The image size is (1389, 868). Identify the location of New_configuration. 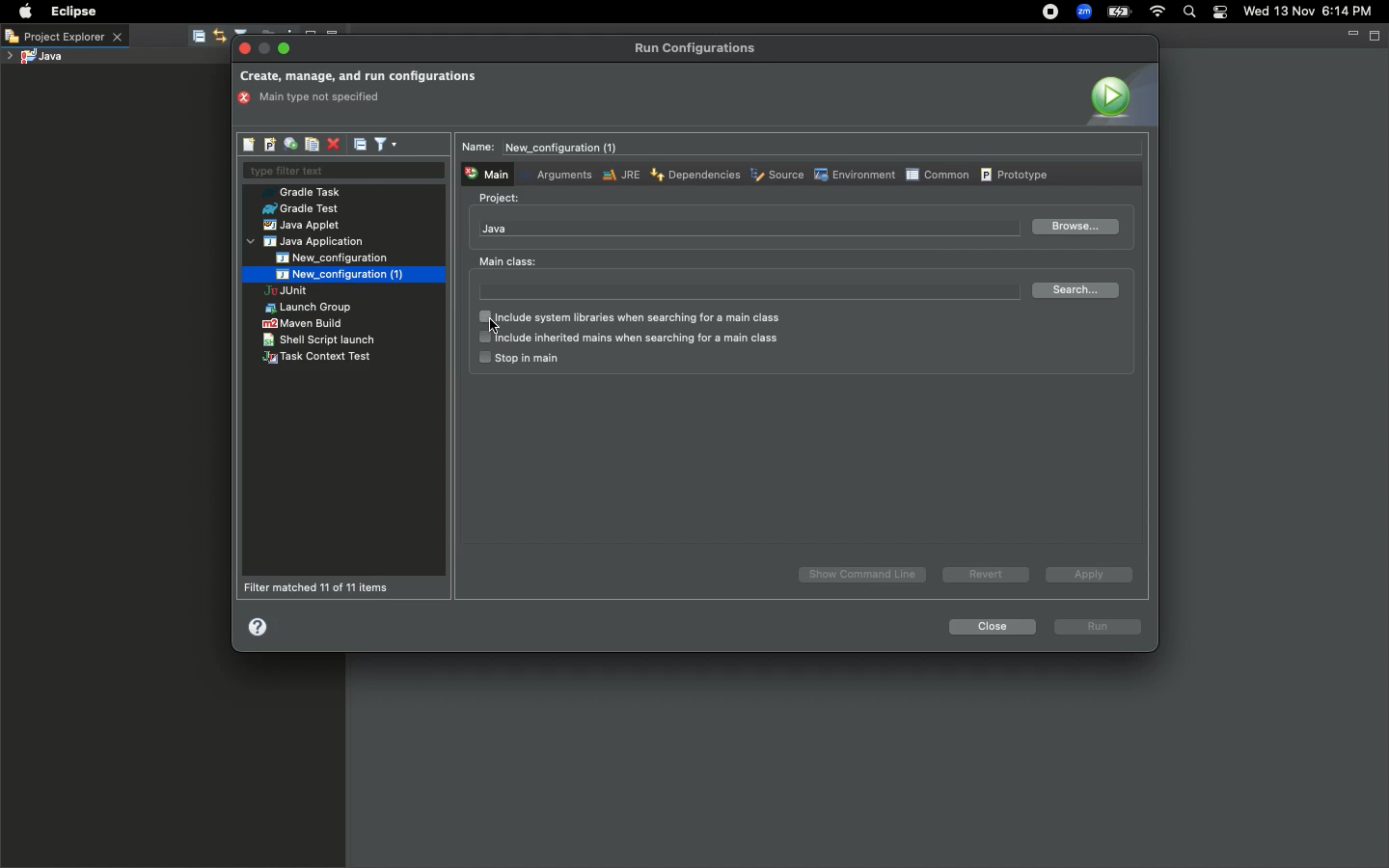
(344, 258).